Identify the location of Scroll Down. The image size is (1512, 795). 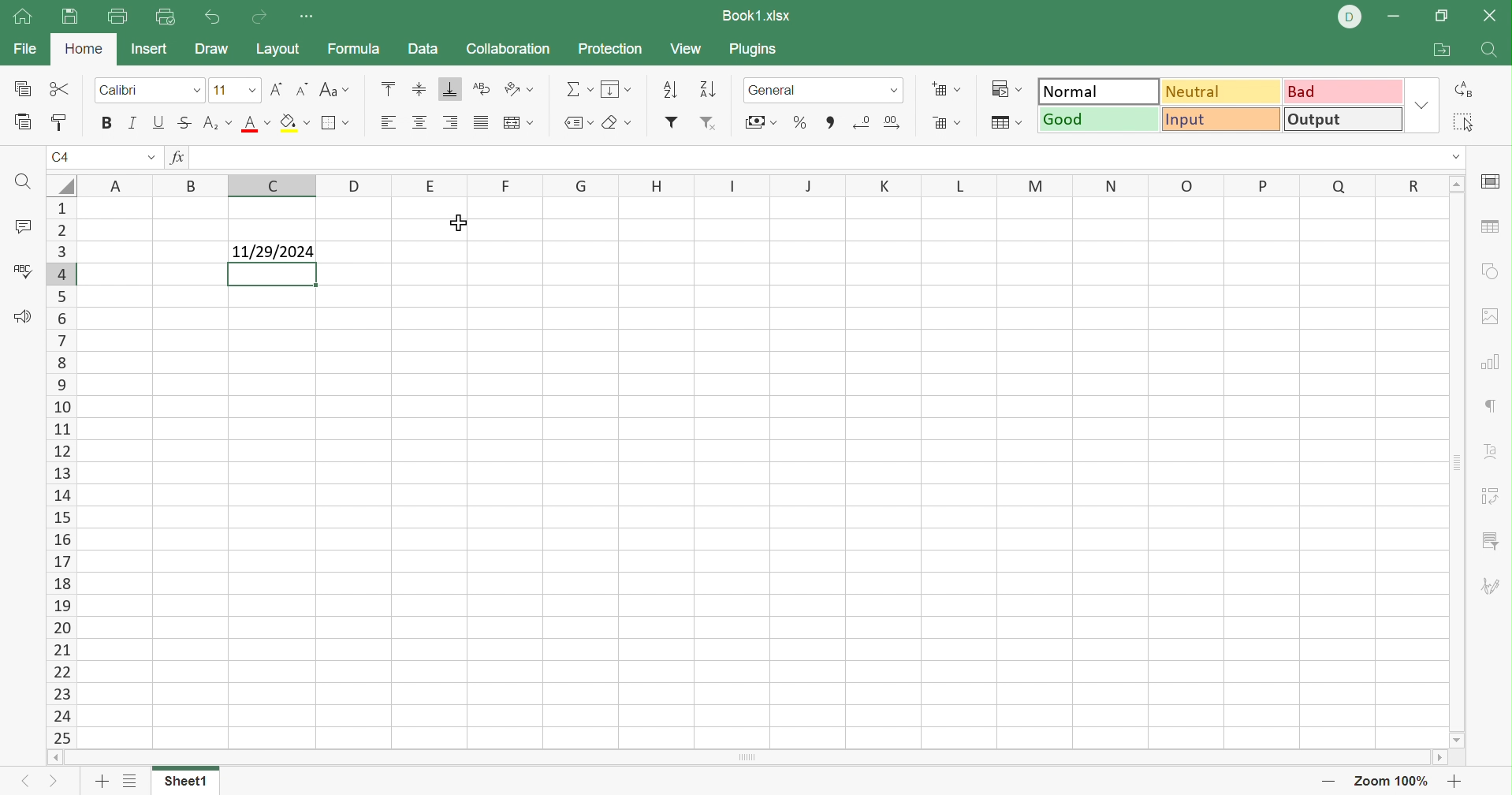
(1458, 741).